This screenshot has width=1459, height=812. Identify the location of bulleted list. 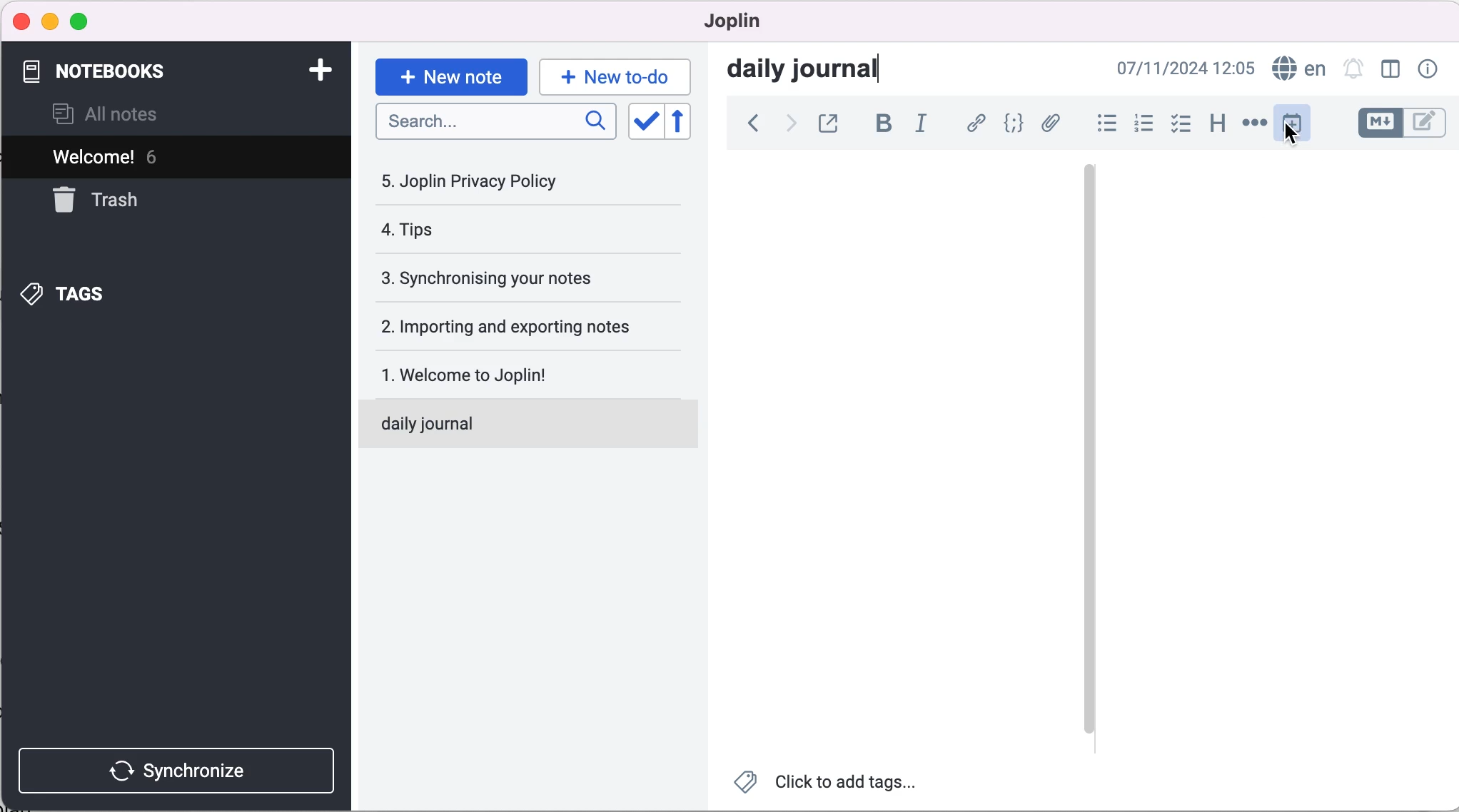
(1101, 122).